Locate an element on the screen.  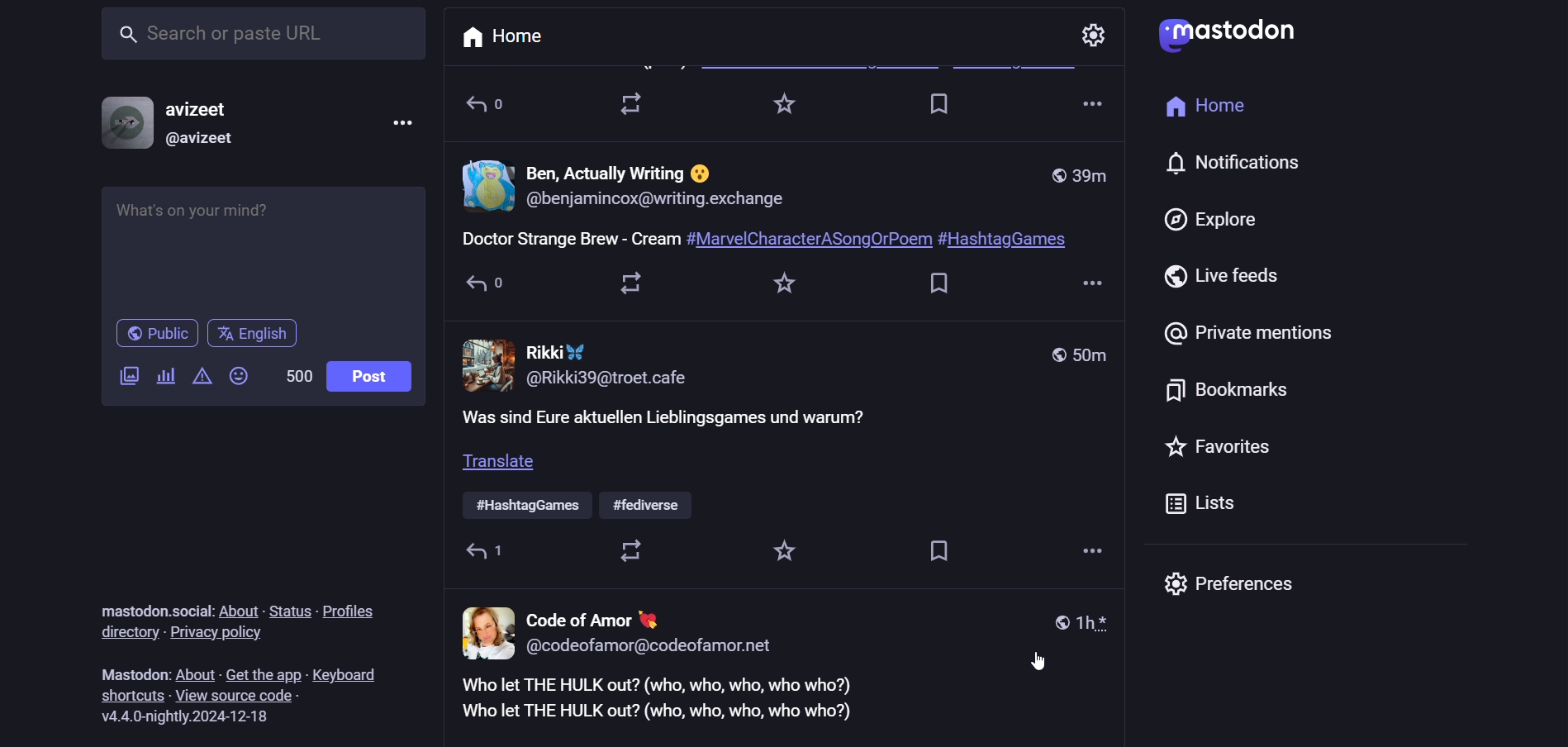
shortcuts is located at coordinates (133, 695).